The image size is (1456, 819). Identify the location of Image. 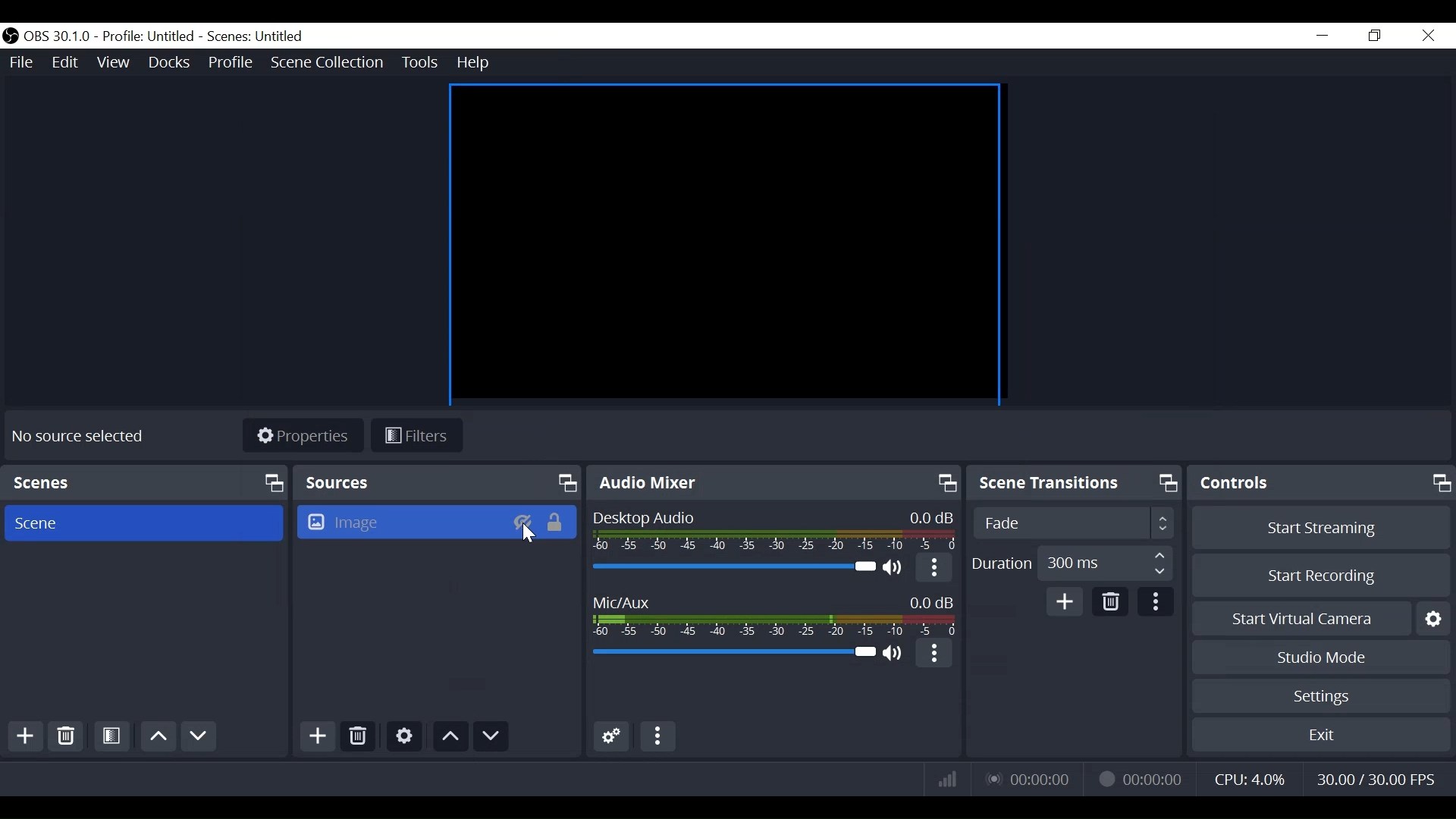
(399, 522).